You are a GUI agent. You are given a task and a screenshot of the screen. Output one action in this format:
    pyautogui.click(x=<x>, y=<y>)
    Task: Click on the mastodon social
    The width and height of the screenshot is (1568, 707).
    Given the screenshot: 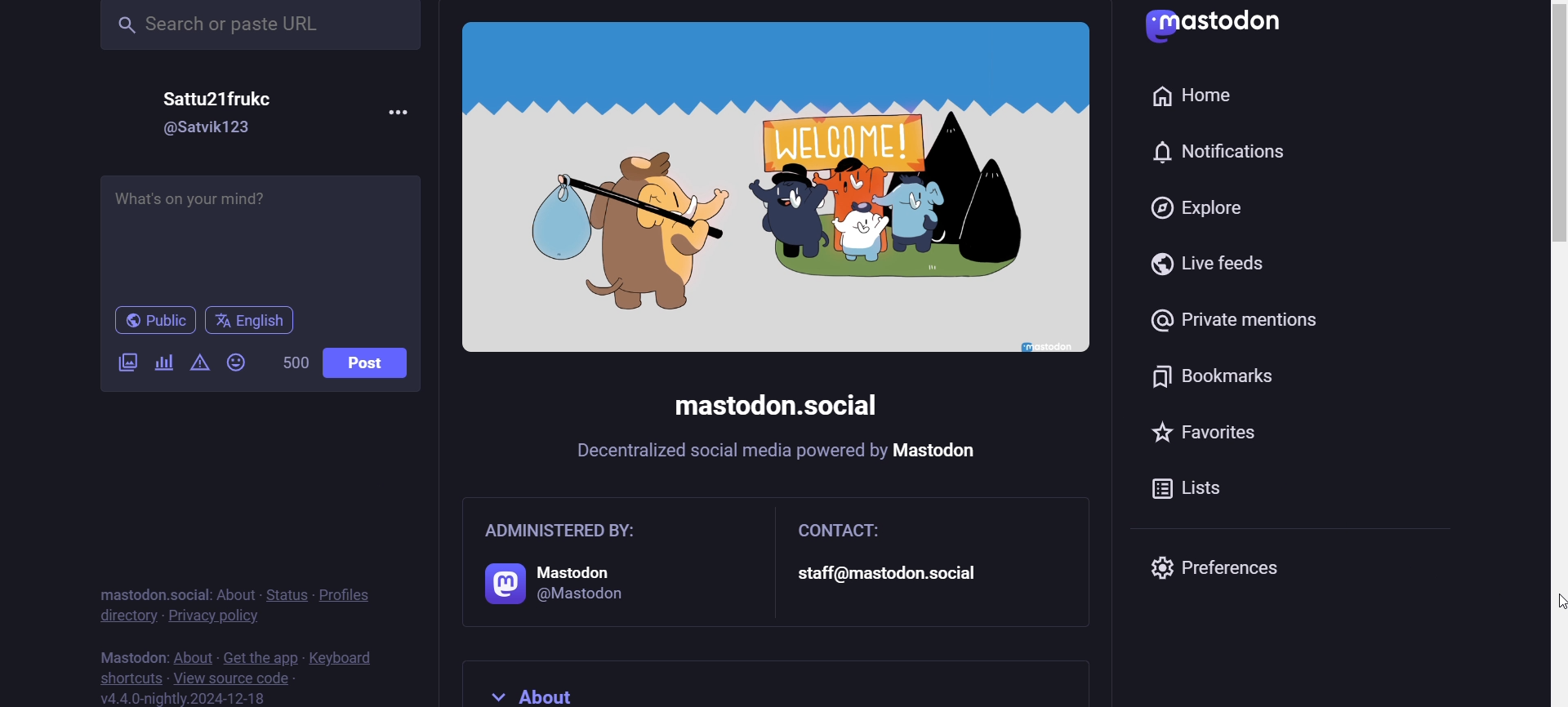 What is the action you would take?
    pyautogui.click(x=150, y=593)
    